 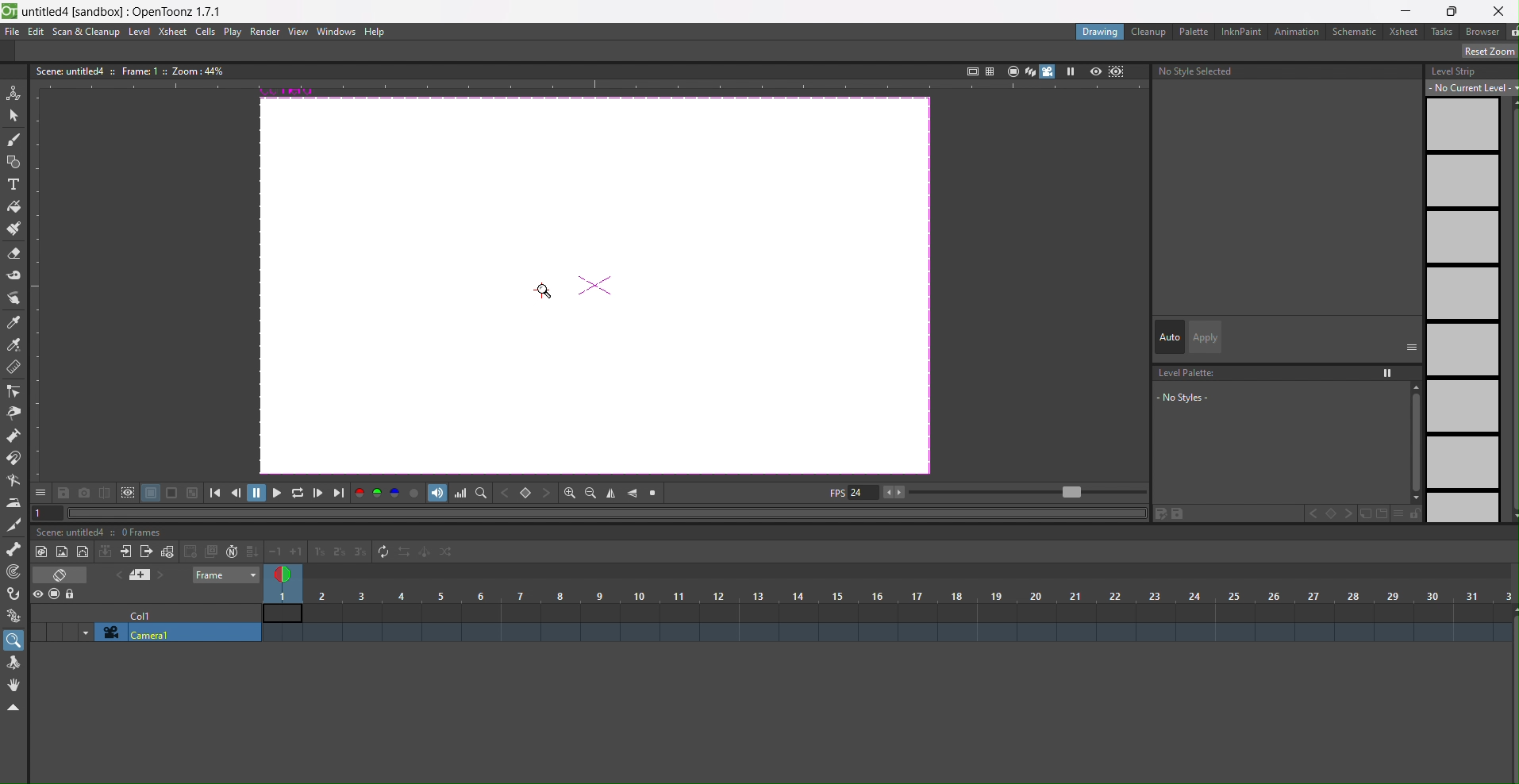 What do you see at coordinates (16, 345) in the screenshot?
I see `` at bounding box center [16, 345].